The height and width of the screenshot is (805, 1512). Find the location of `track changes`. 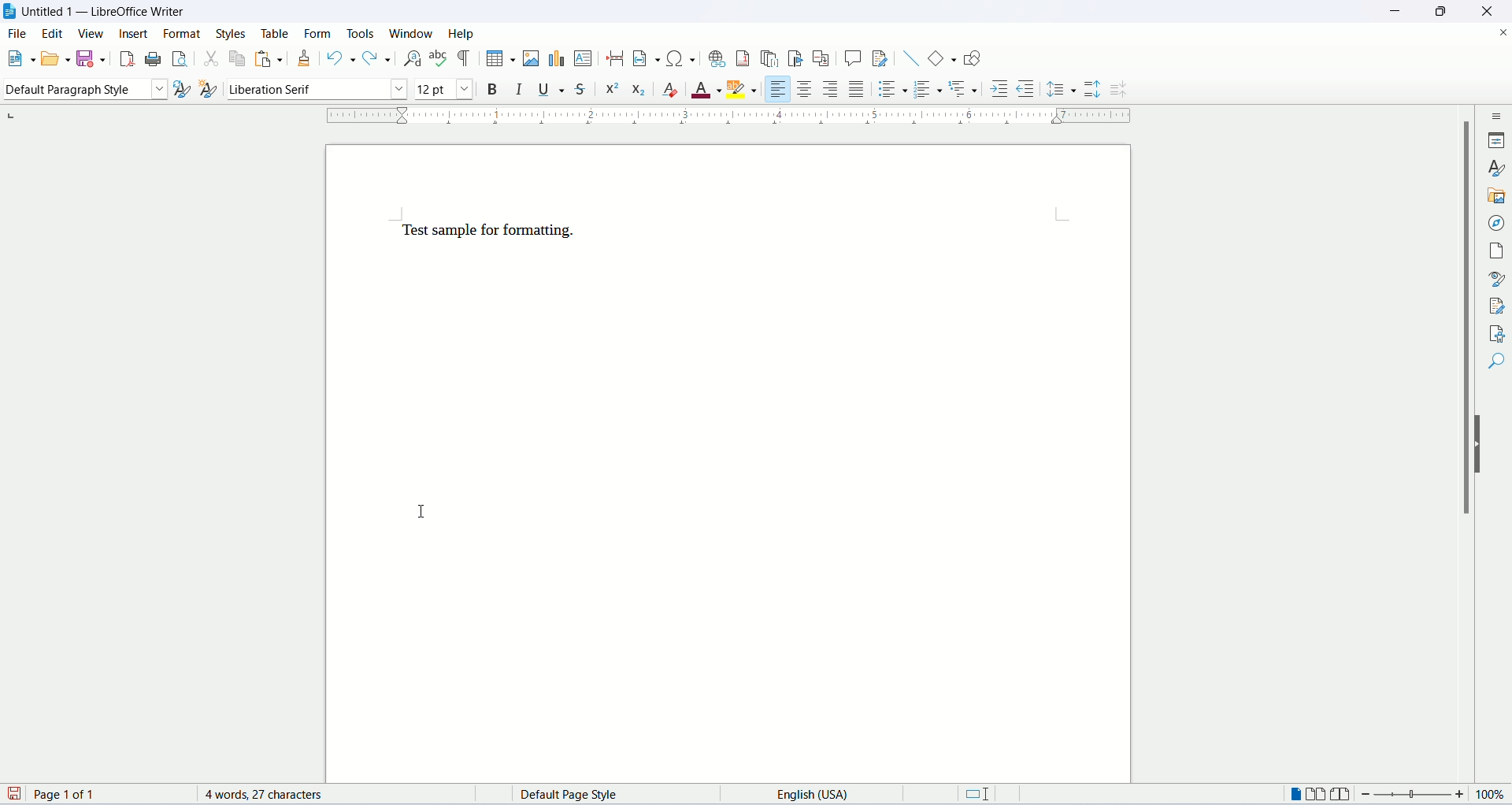

track changes is located at coordinates (880, 59).